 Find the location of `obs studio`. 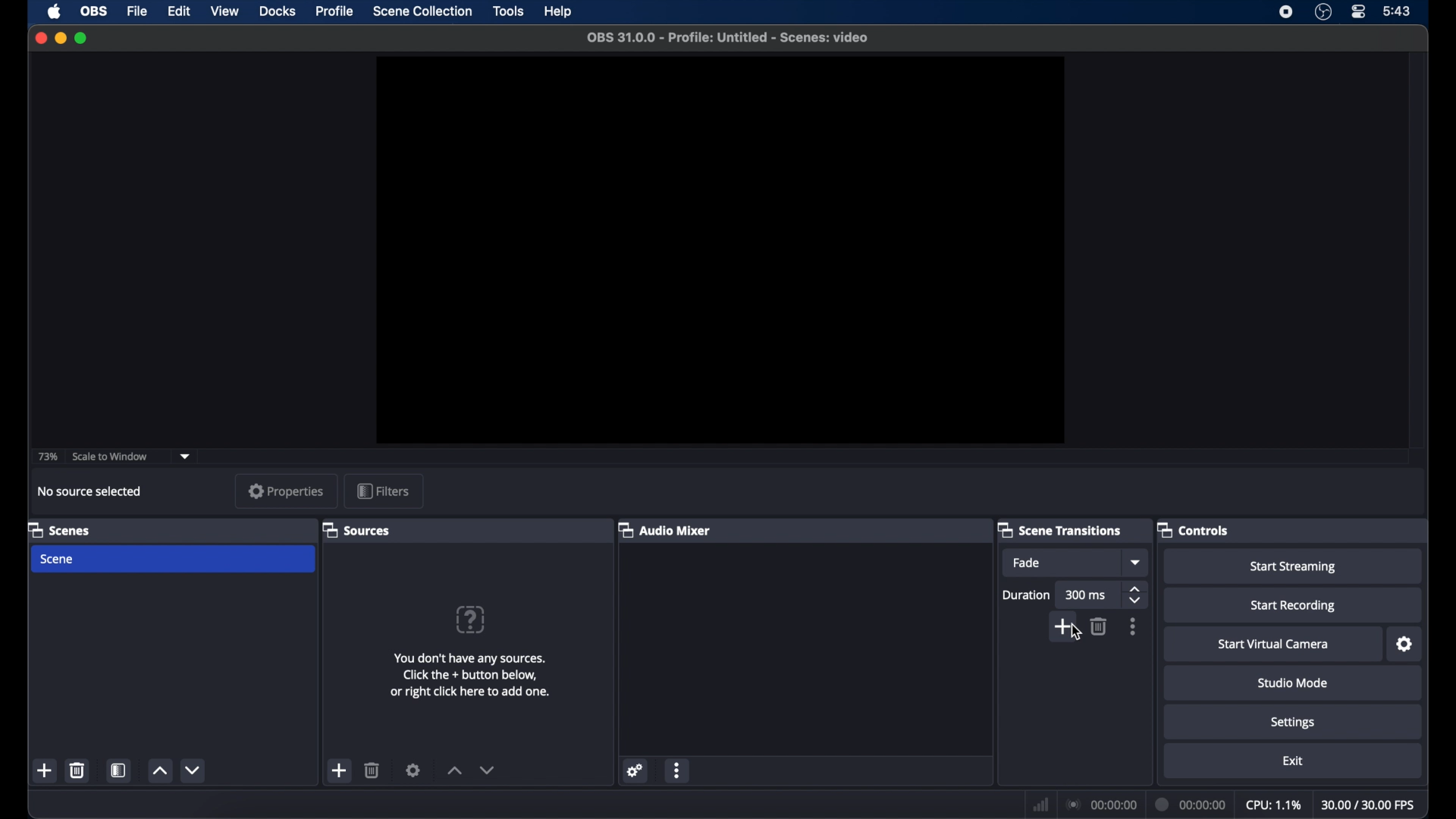

obs studio is located at coordinates (1323, 12).